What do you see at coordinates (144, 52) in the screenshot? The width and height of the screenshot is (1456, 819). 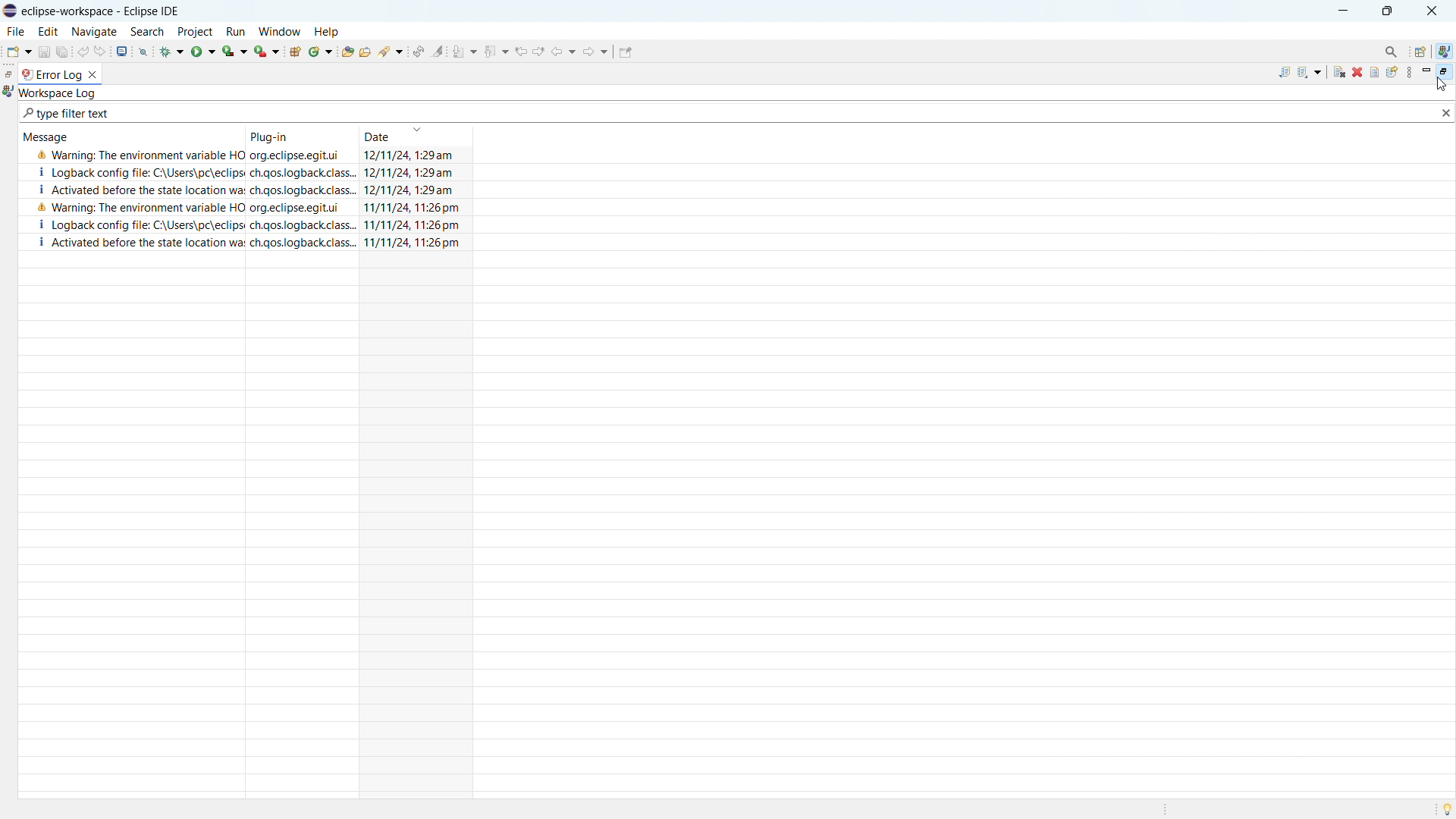 I see `skip all breakpoints` at bounding box center [144, 52].